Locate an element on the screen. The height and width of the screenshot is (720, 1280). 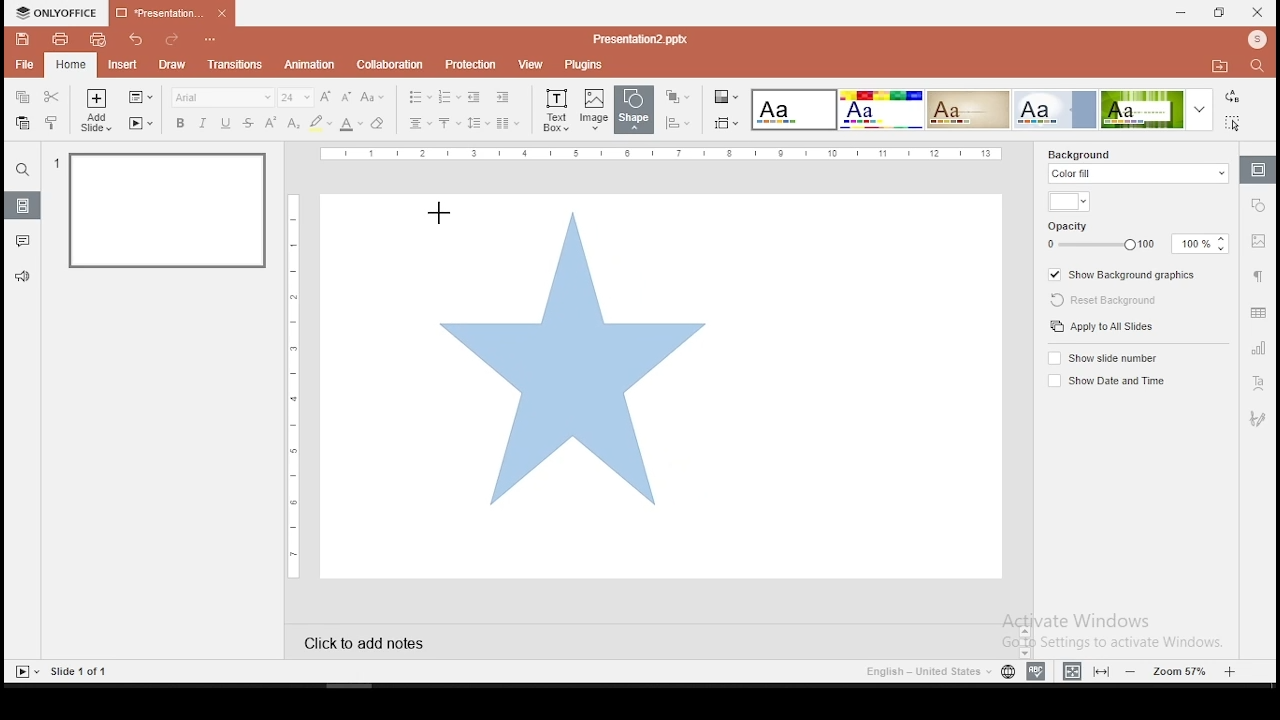
icon is located at coordinates (57, 13).